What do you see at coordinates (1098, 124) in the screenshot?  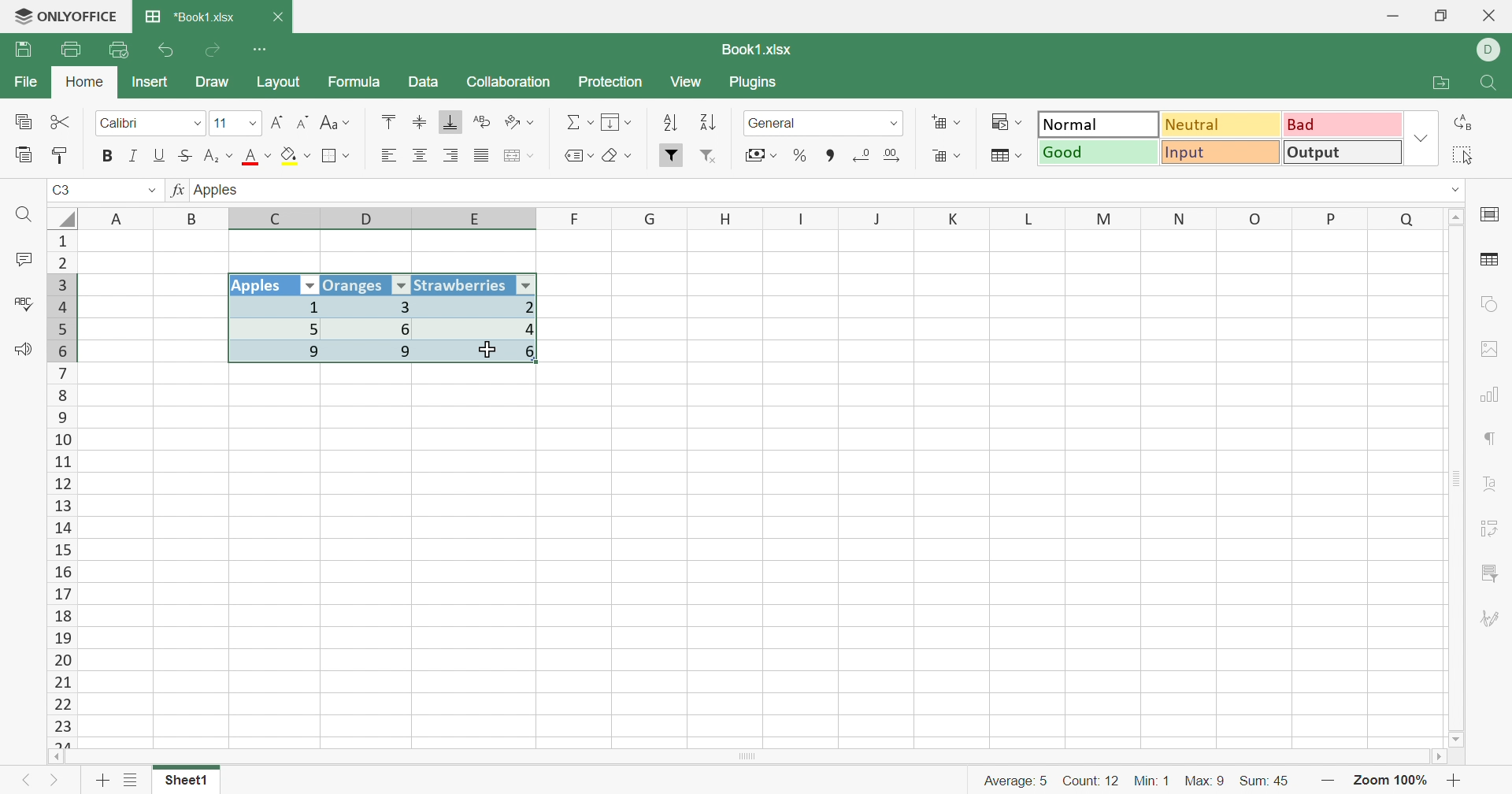 I see `Normal` at bounding box center [1098, 124].